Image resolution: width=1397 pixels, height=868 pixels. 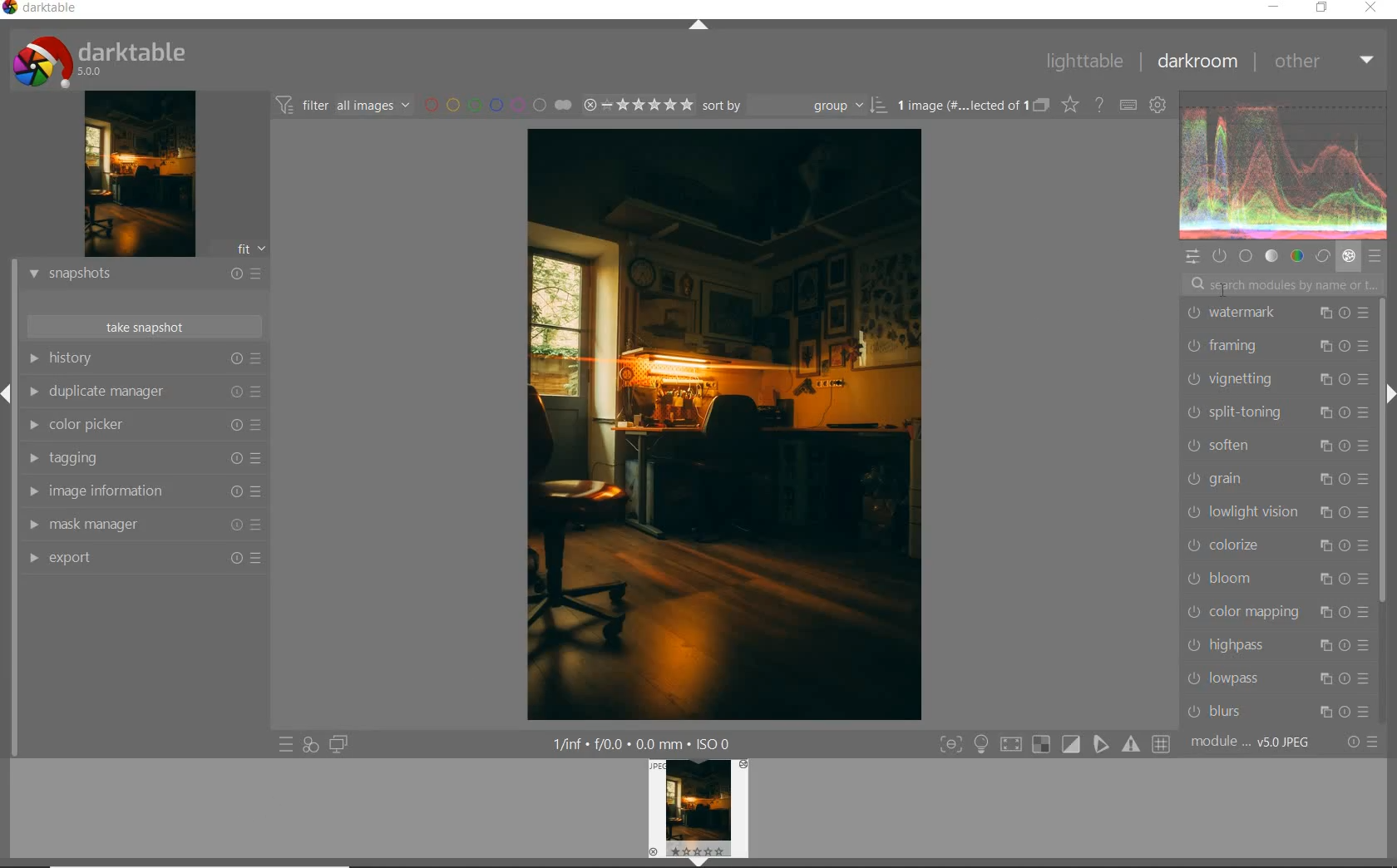 I want to click on image preview, so click(x=136, y=175).